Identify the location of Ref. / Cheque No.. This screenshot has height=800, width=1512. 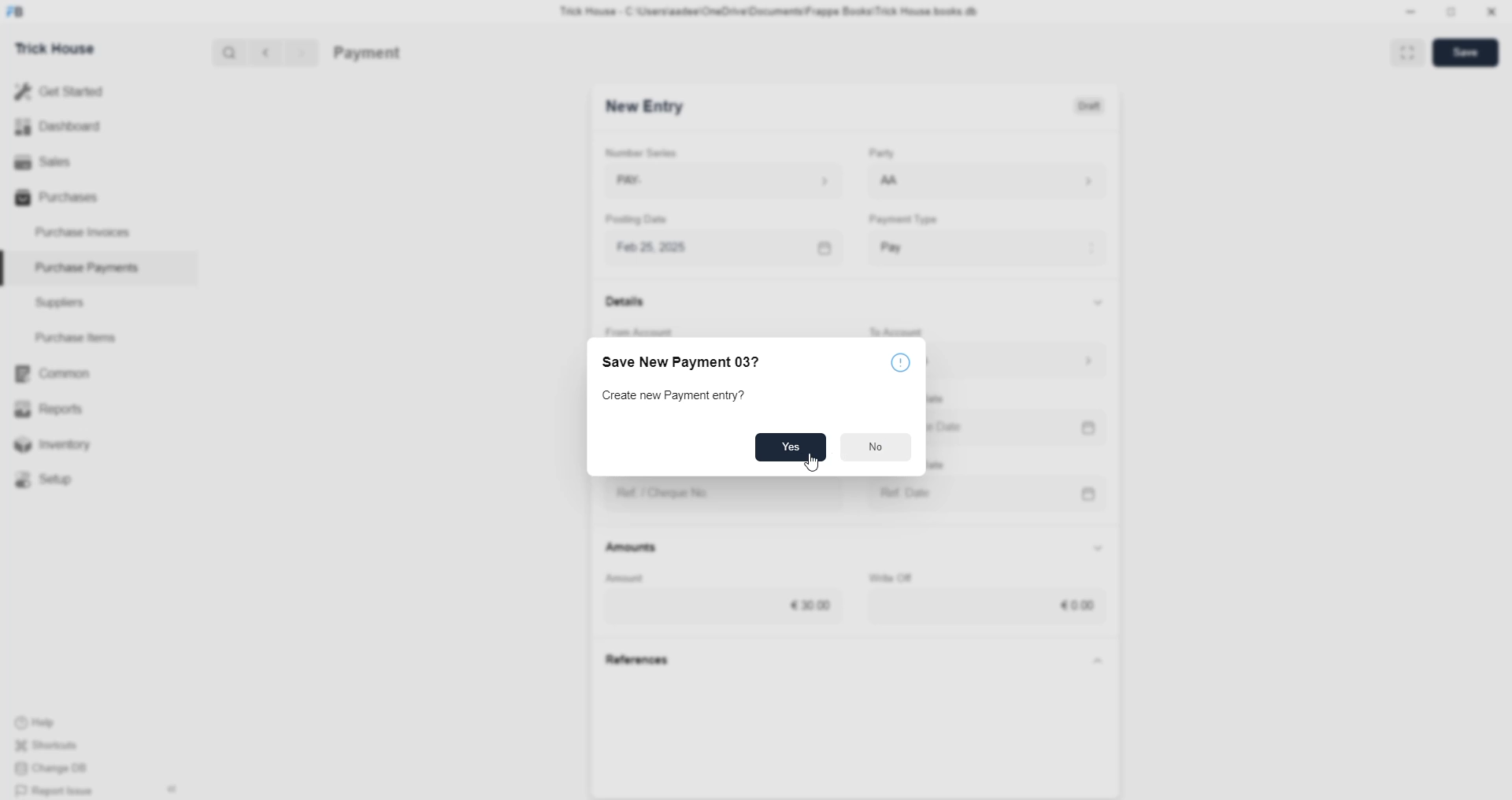
(678, 494).